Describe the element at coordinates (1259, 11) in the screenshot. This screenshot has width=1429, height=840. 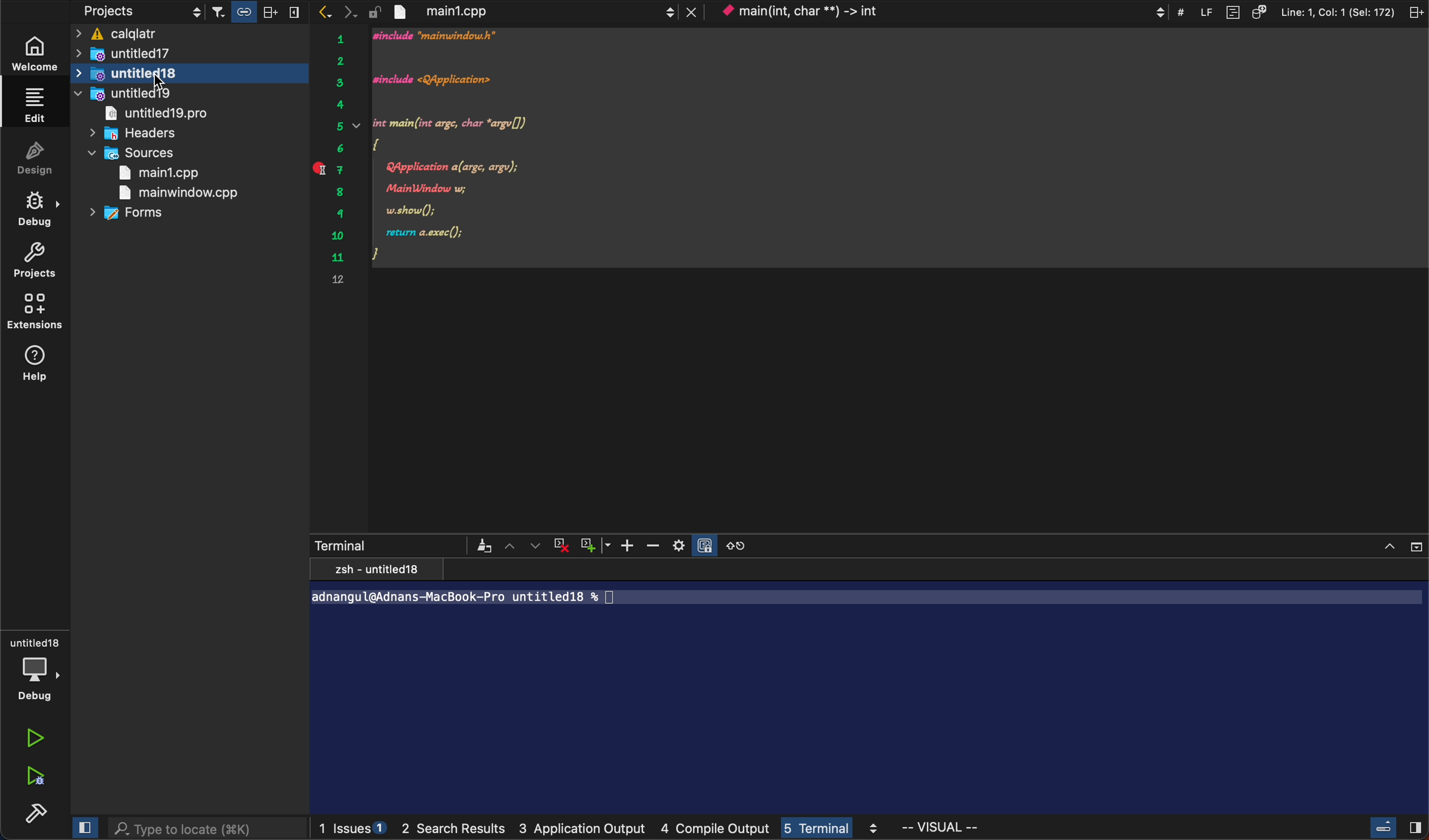
I see `source code` at that location.